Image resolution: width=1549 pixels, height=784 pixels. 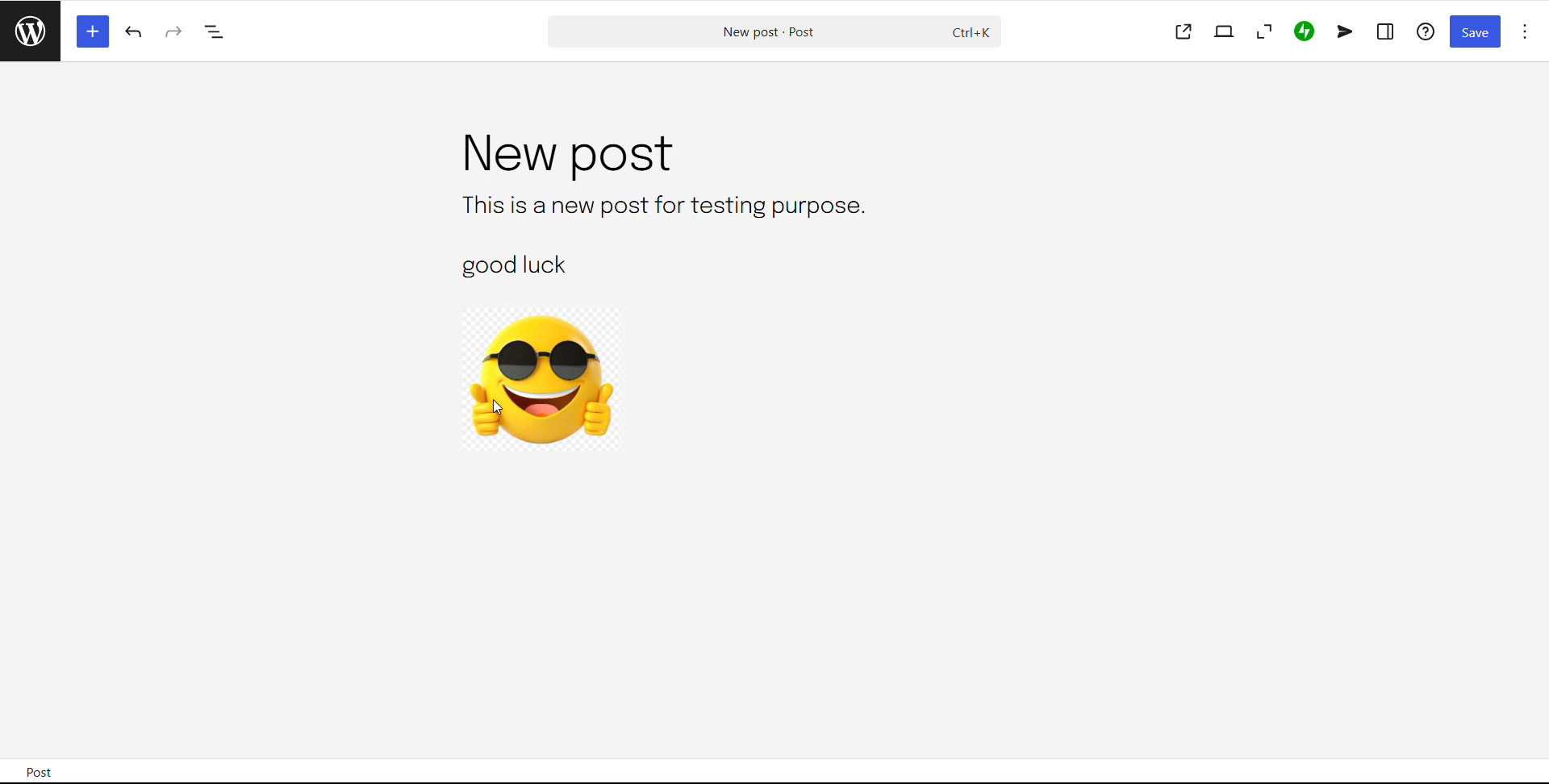 What do you see at coordinates (1427, 31) in the screenshot?
I see `help` at bounding box center [1427, 31].